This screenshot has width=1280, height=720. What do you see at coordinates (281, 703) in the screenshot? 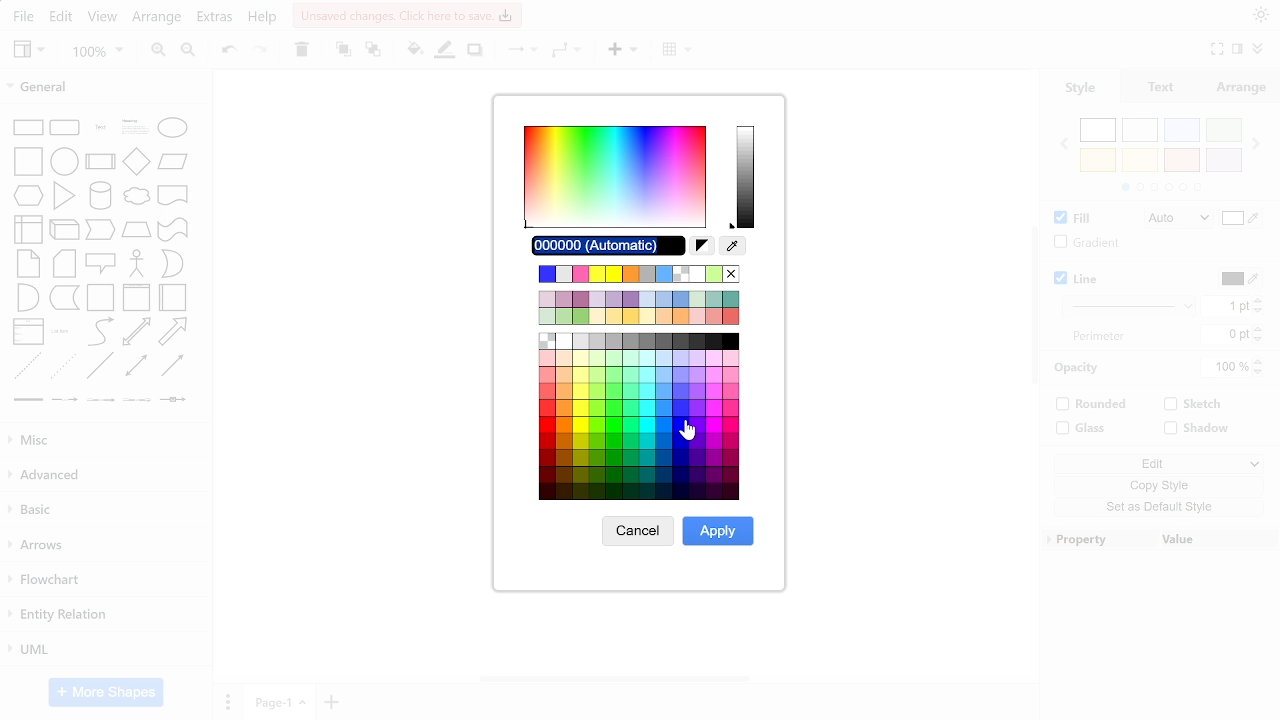
I see `current page` at bounding box center [281, 703].